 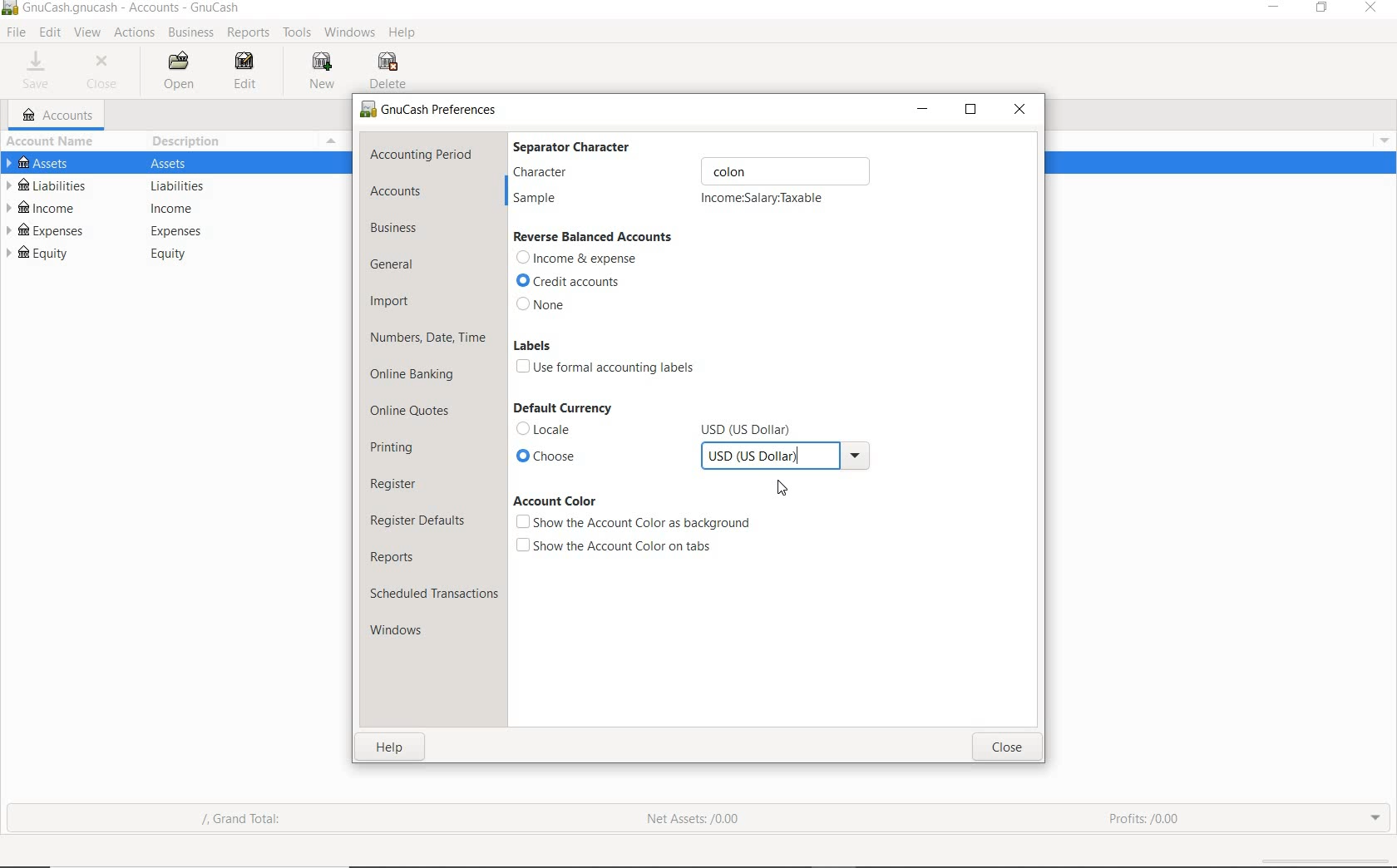 I want to click on use formal accounting labels, so click(x=610, y=368).